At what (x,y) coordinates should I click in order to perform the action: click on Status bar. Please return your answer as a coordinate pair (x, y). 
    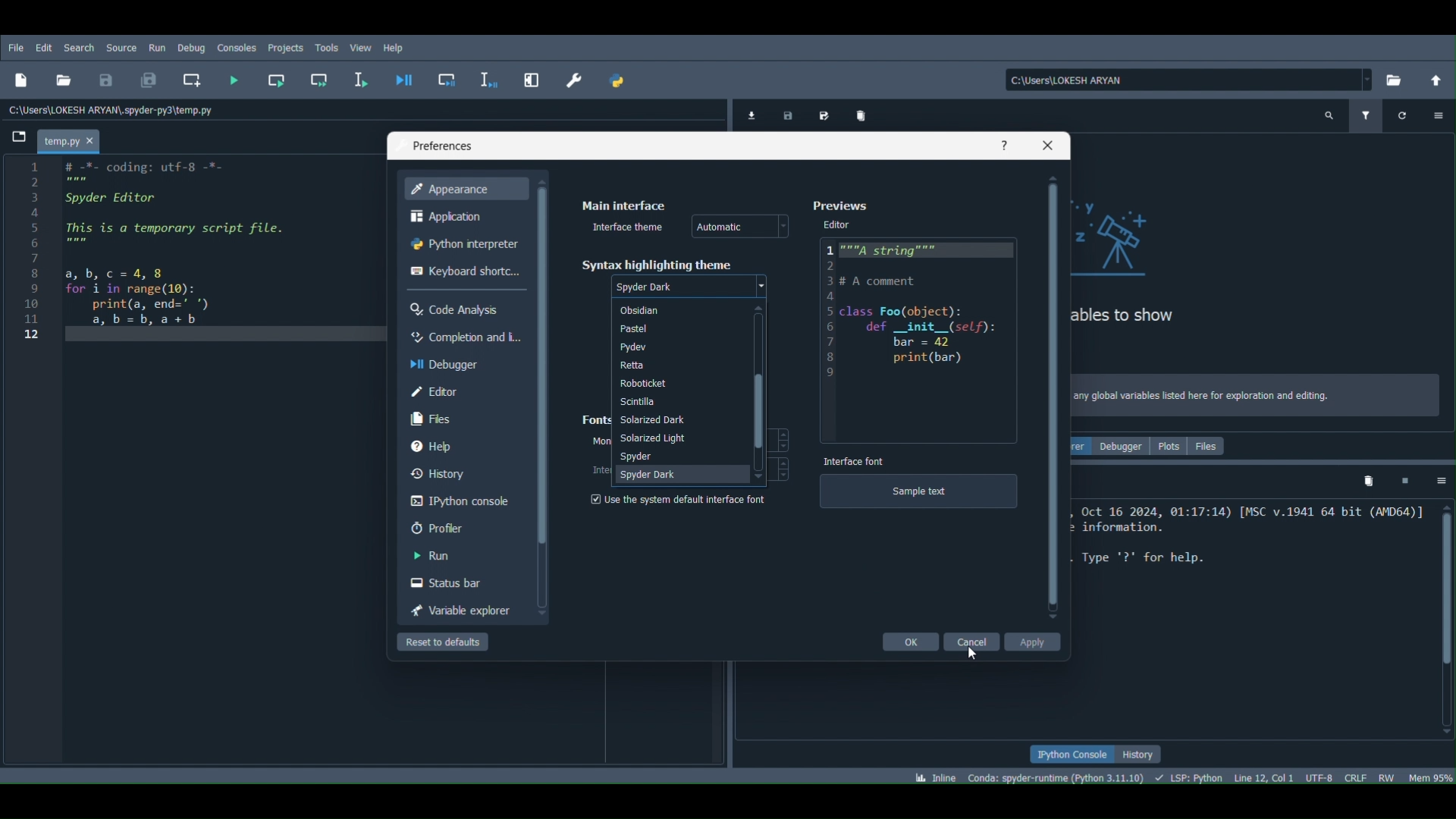
    Looking at the image, I should click on (466, 580).